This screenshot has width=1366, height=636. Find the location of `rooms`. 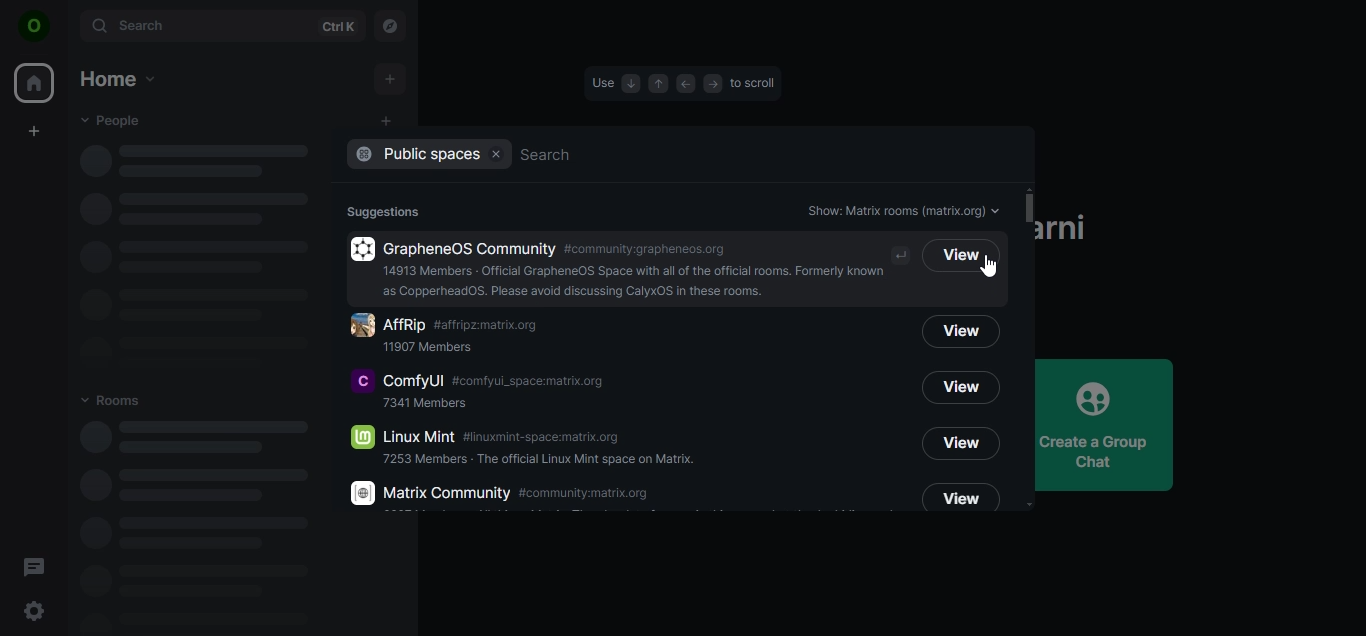

rooms is located at coordinates (120, 399).